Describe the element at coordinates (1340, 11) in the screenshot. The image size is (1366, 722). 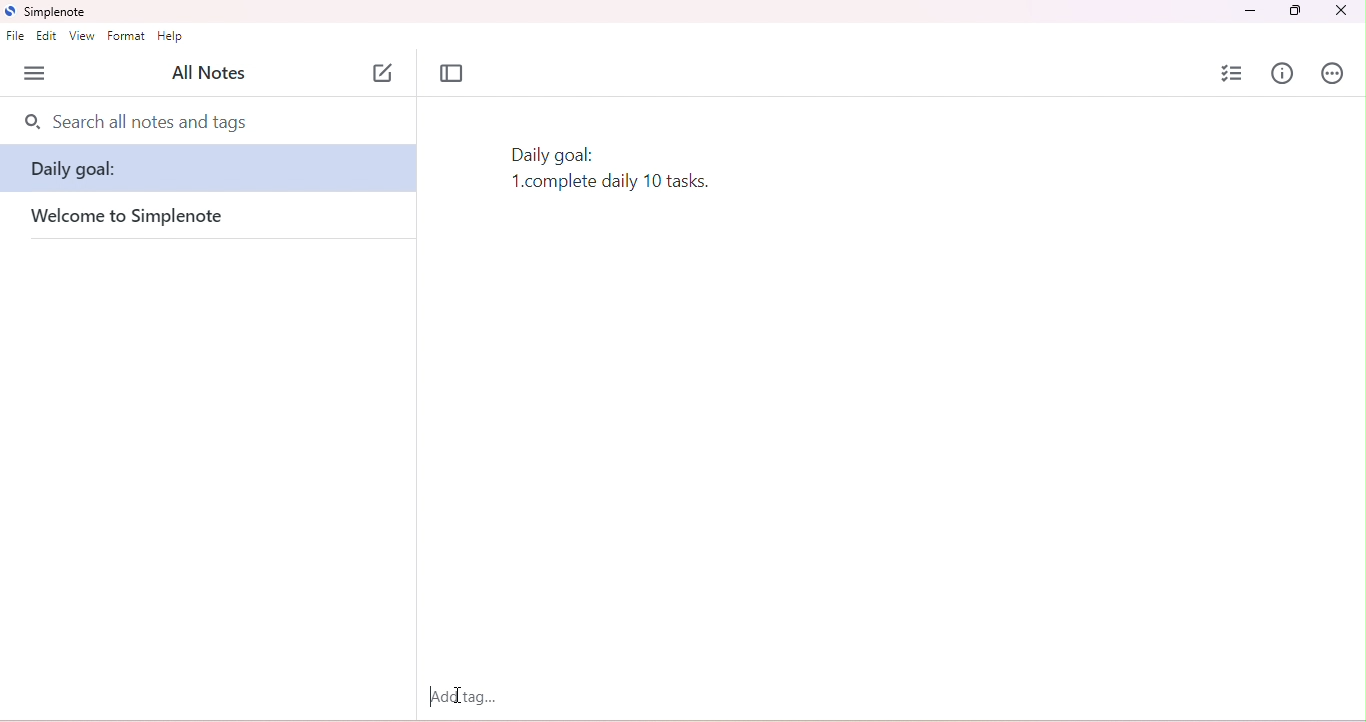
I see `close` at that location.